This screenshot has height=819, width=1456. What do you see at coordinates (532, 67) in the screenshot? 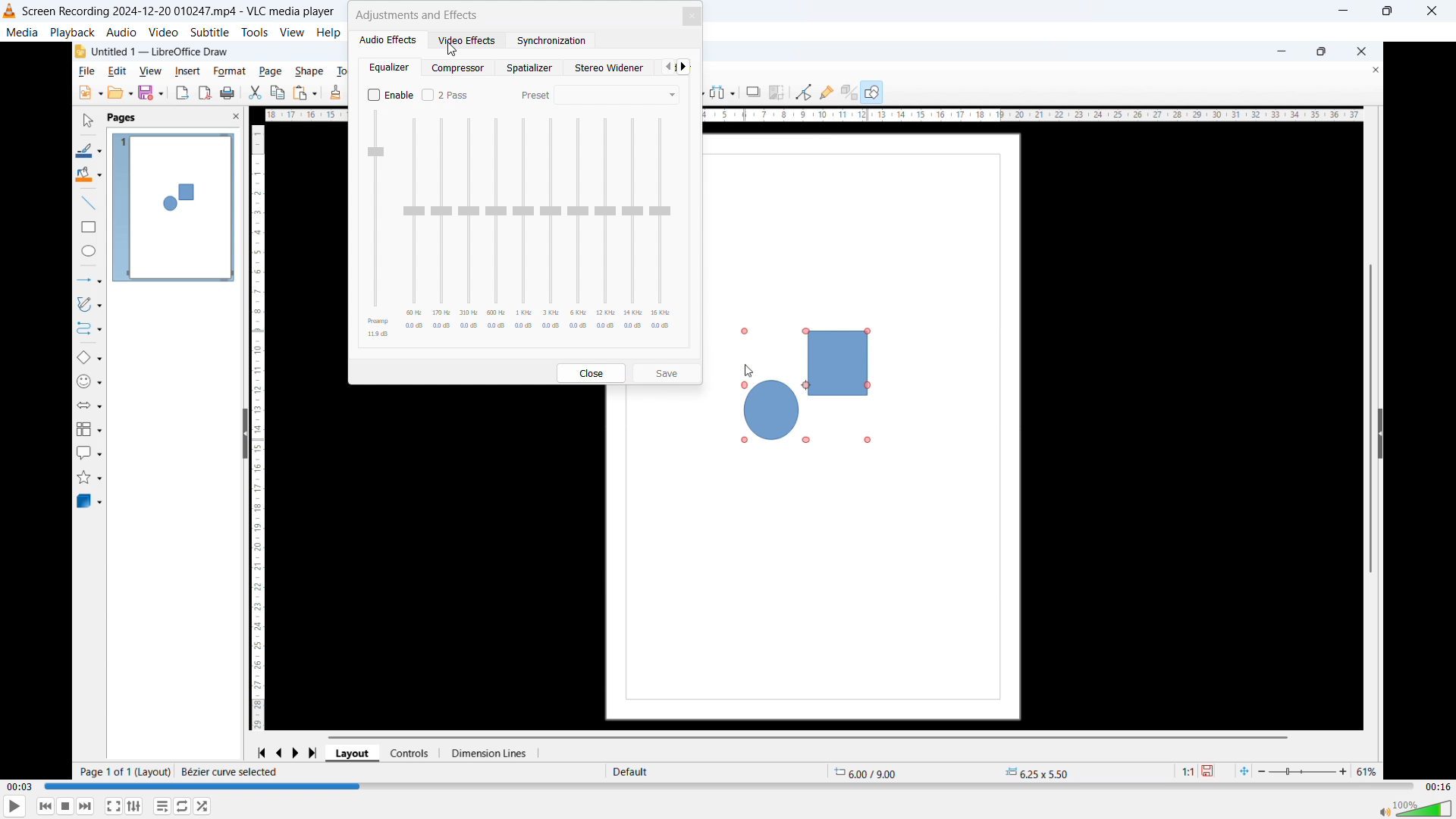
I see `Spatializer ` at bounding box center [532, 67].